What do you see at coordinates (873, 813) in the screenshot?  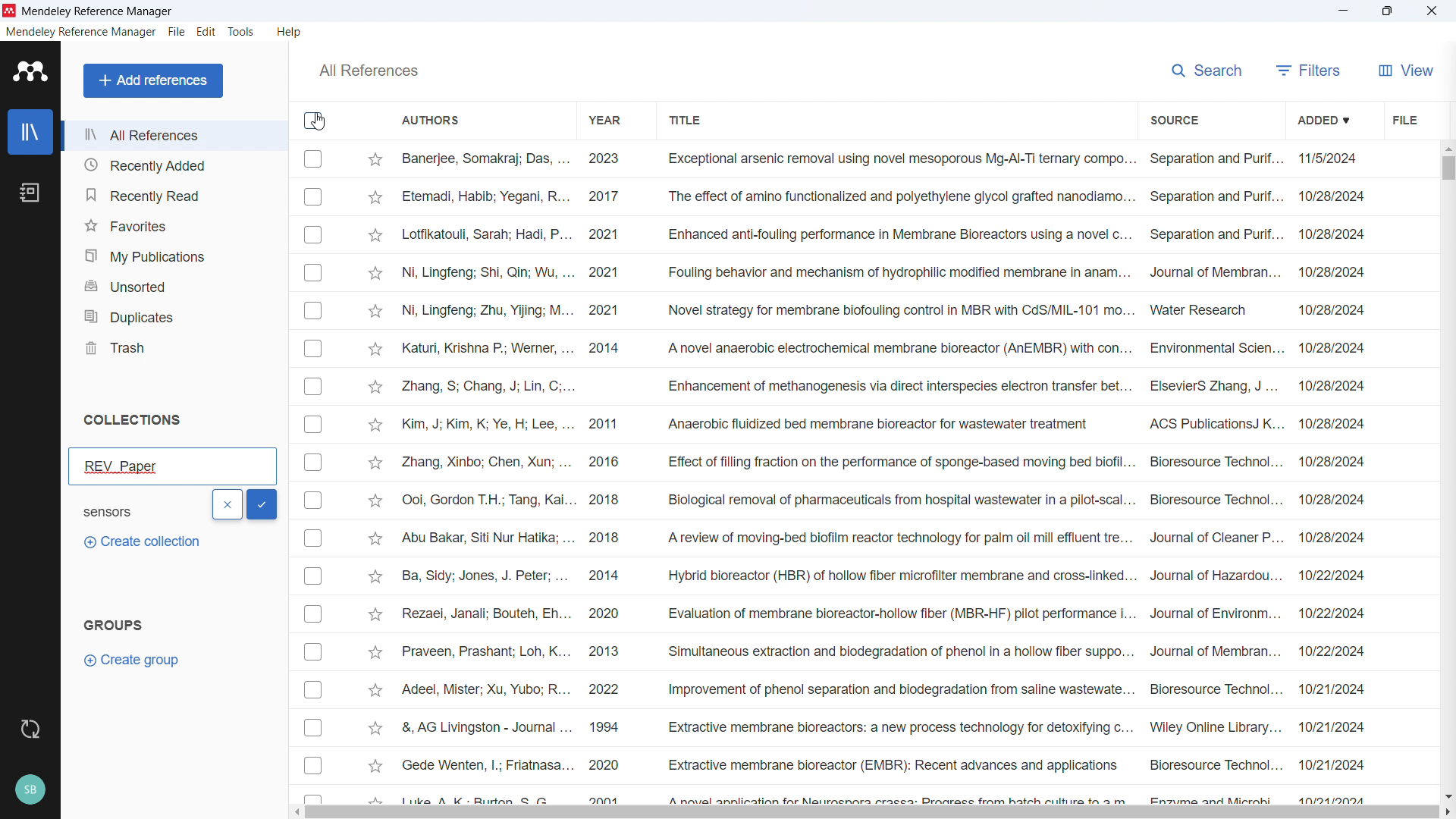 I see `Horizontal scrollbar ` at bounding box center [873, 813].